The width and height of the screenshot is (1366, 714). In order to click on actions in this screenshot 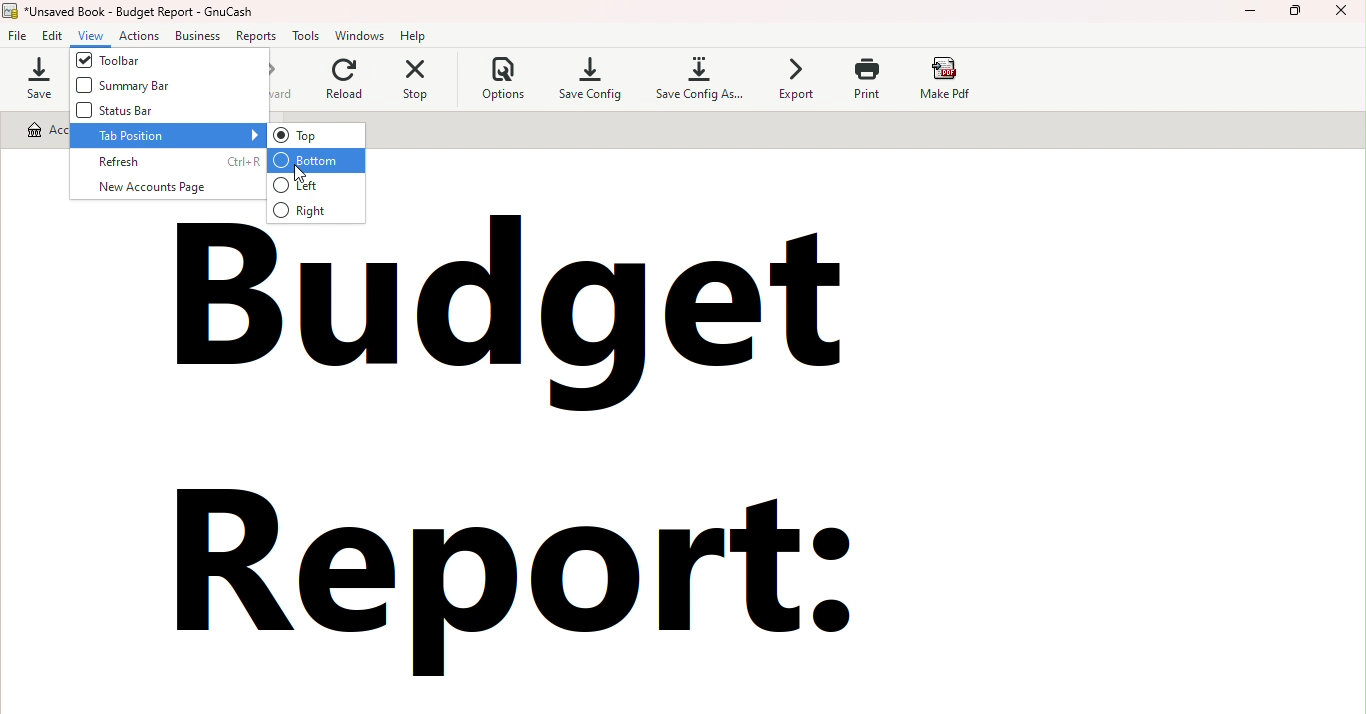, I will do `click(143, 35)`.